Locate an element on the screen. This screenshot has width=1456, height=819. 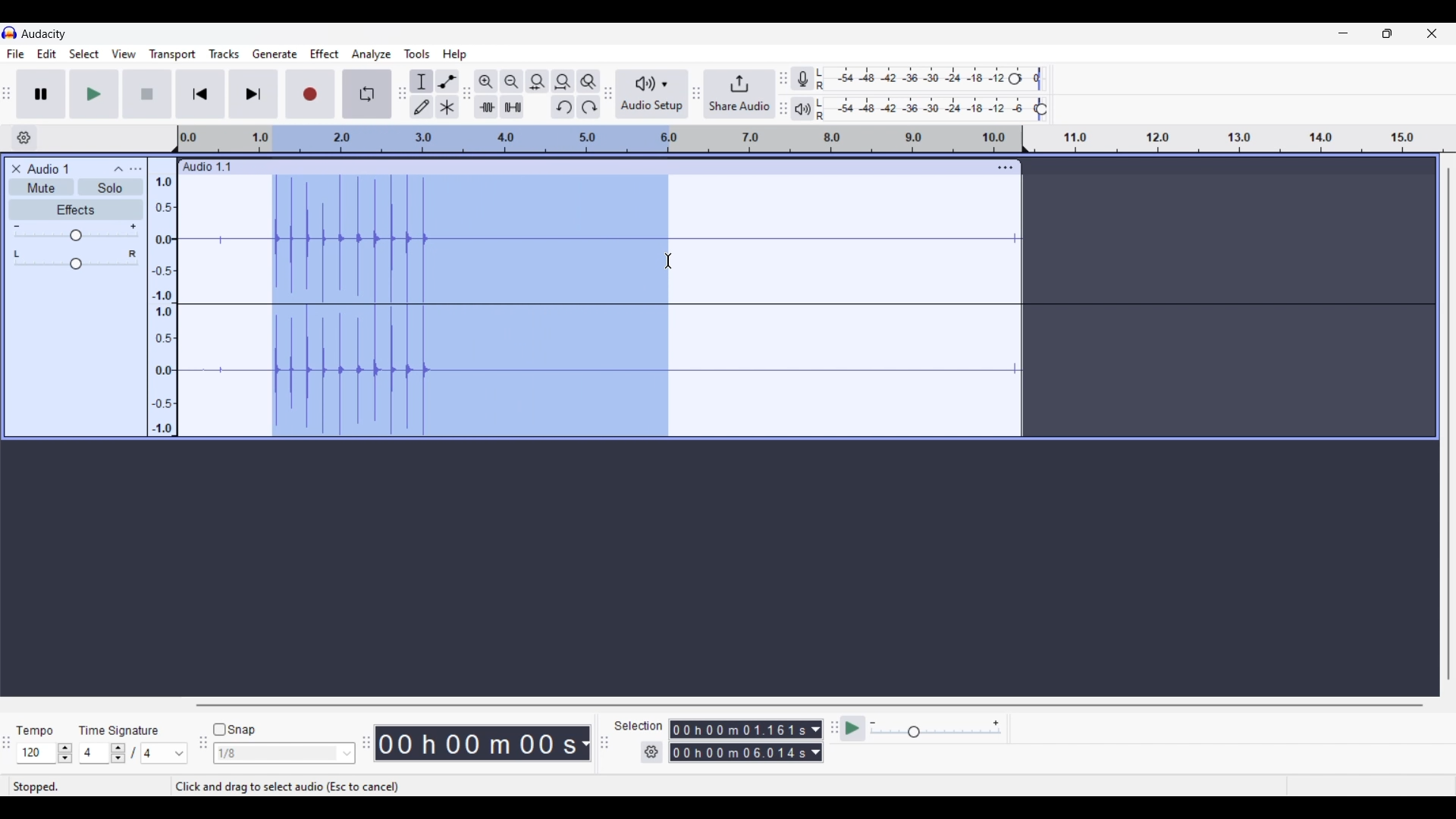
Horizontal slide bar is located at coordinates (810, 705).